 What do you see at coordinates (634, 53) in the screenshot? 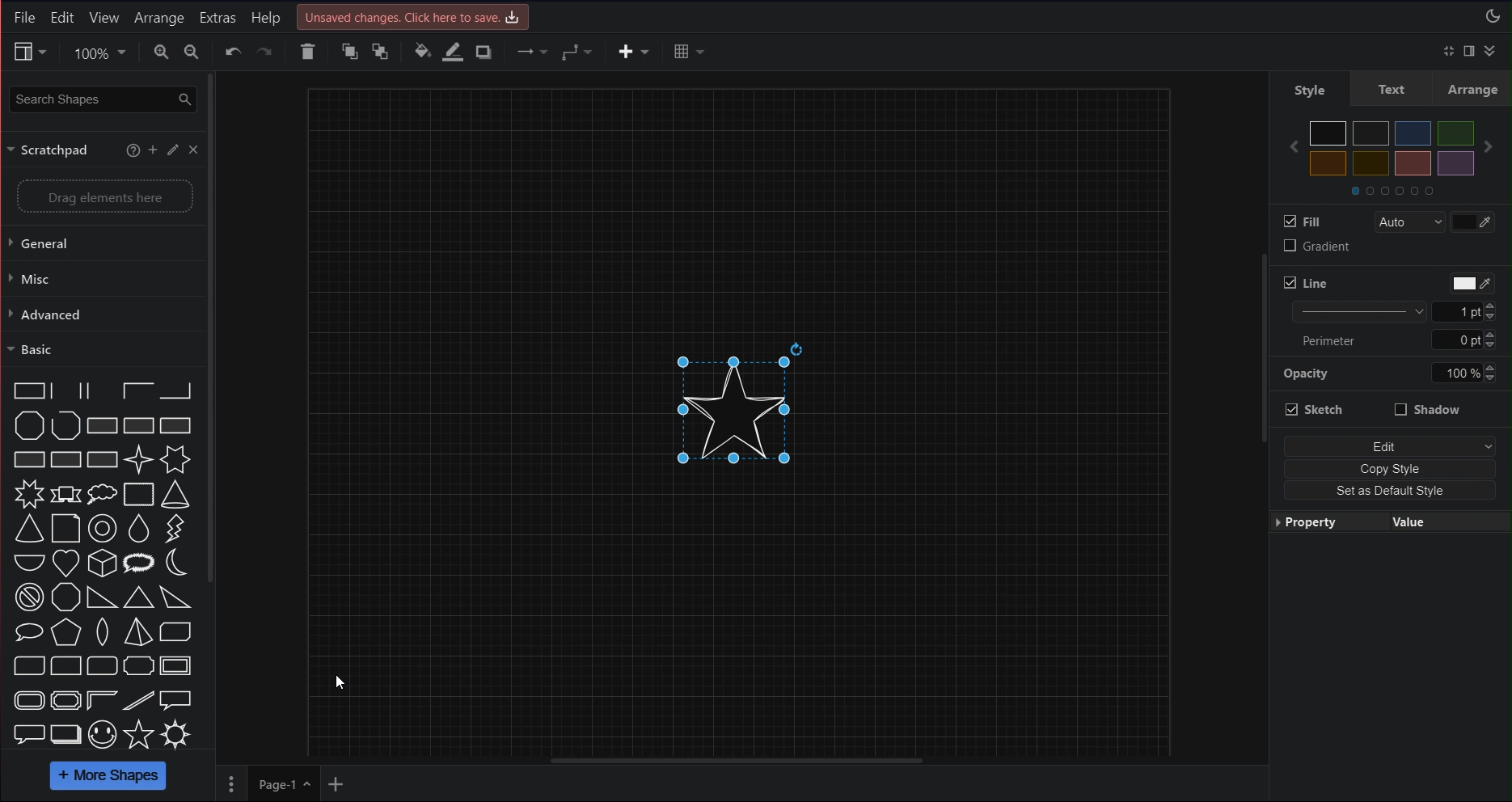
I see `Insert` at bounding box center [634, 53].